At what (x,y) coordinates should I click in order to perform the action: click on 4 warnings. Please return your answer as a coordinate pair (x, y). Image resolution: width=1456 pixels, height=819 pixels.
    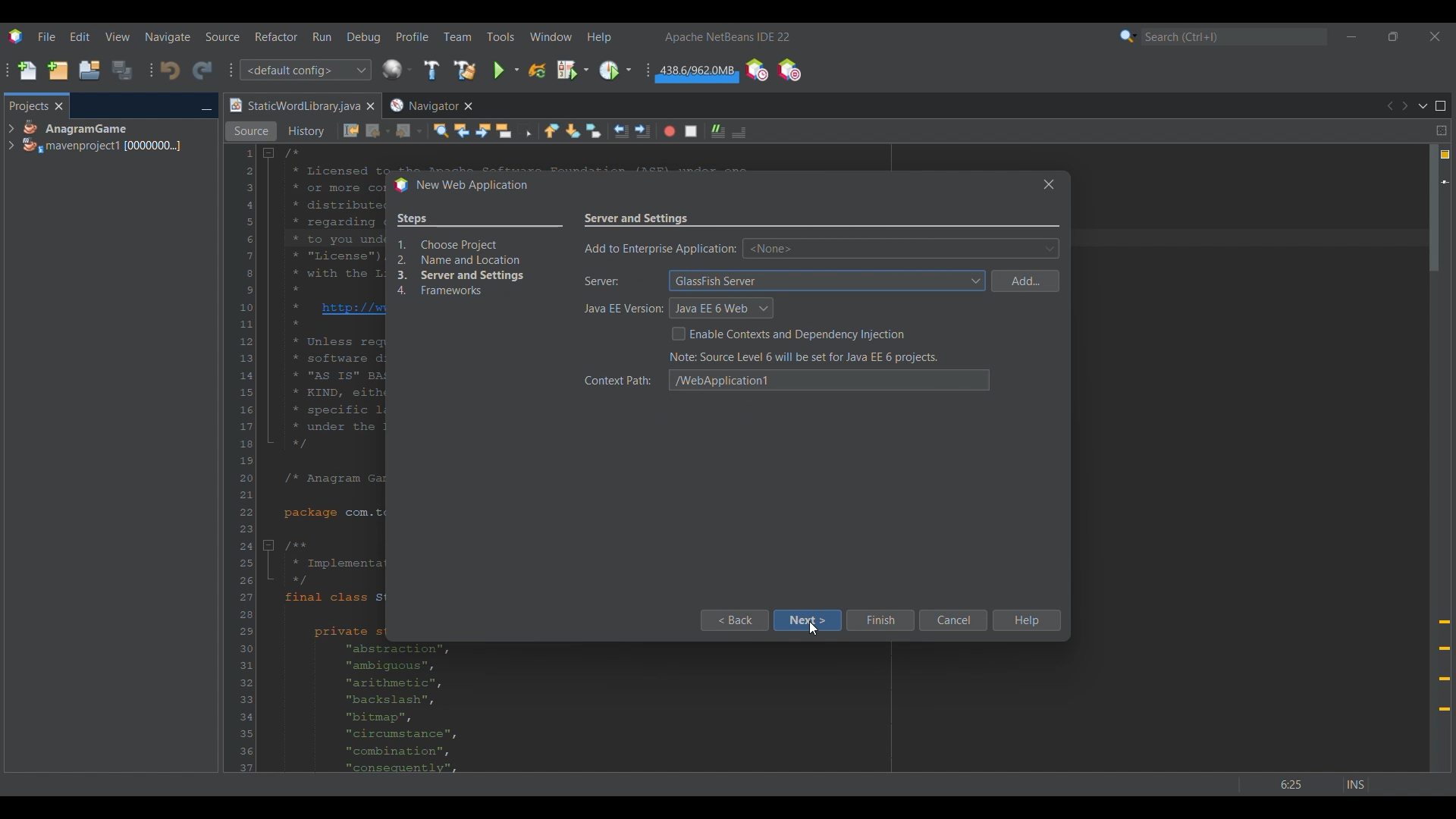
    Looking at the image, I should click on (1445, 155).